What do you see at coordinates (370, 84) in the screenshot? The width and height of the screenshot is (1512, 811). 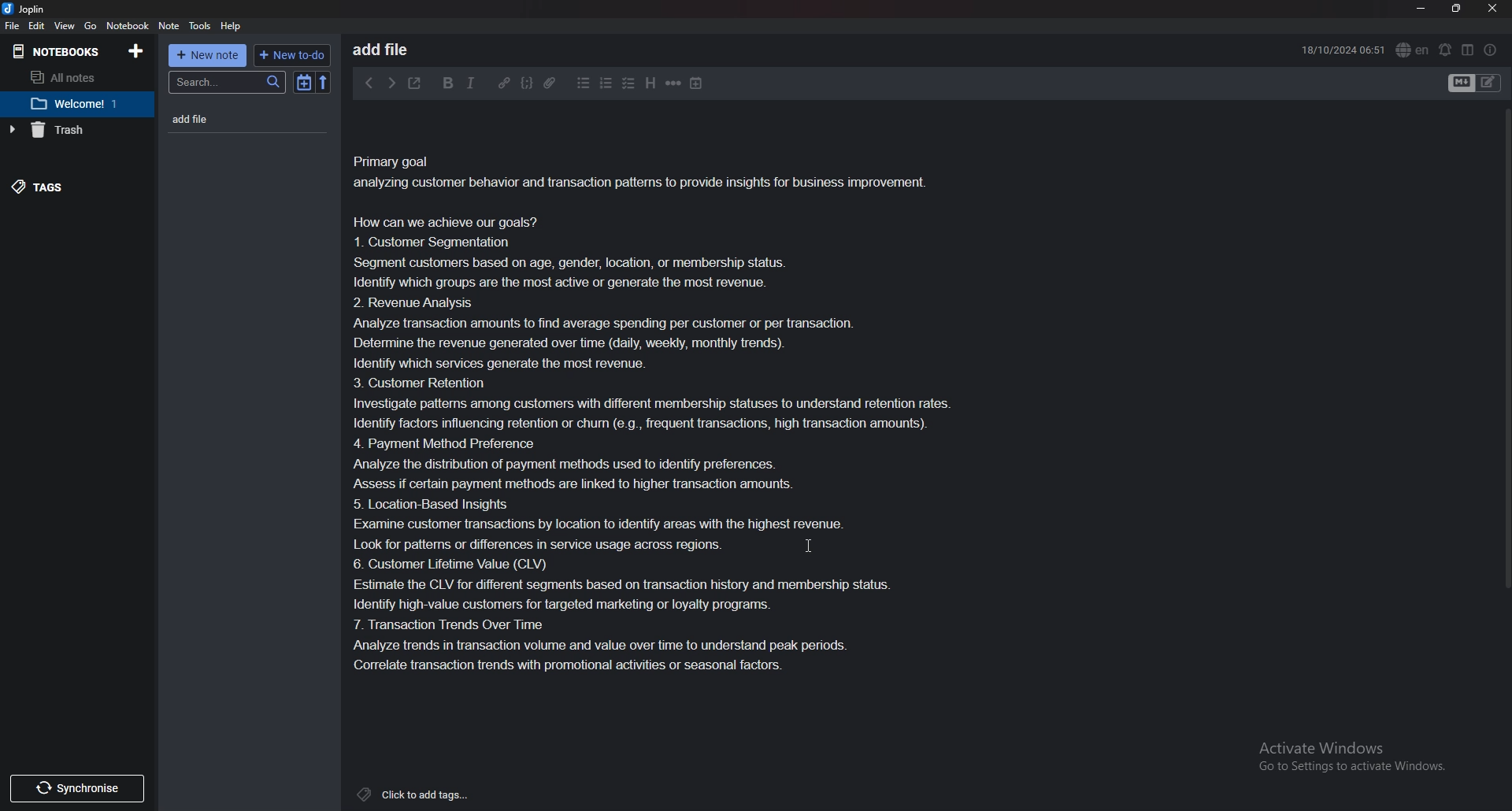 I see `previous` at bounding box center [370, 84].